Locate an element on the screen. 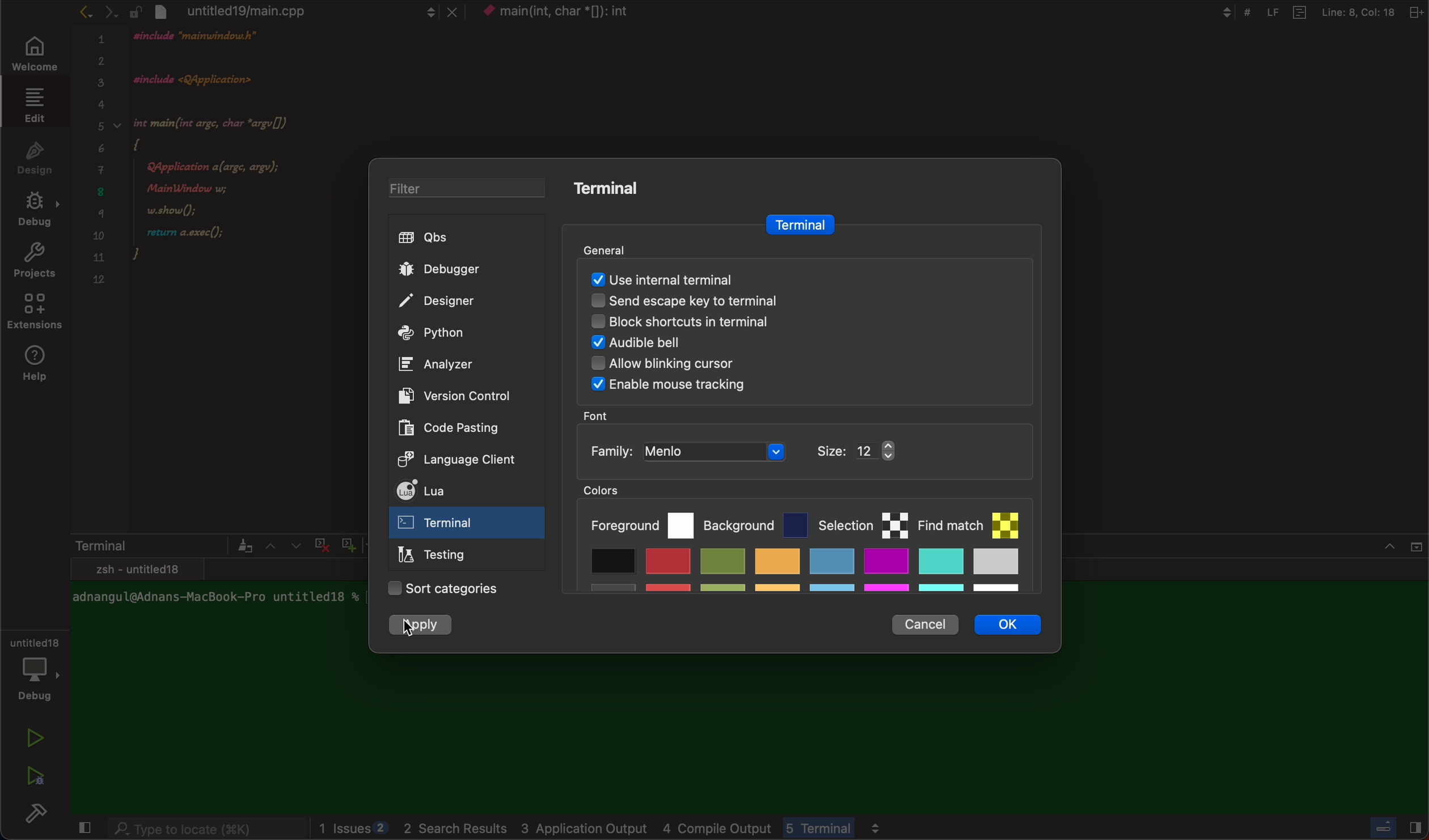 This screenshot has height=840, width=1429. search is located at coordinates (206, 830).